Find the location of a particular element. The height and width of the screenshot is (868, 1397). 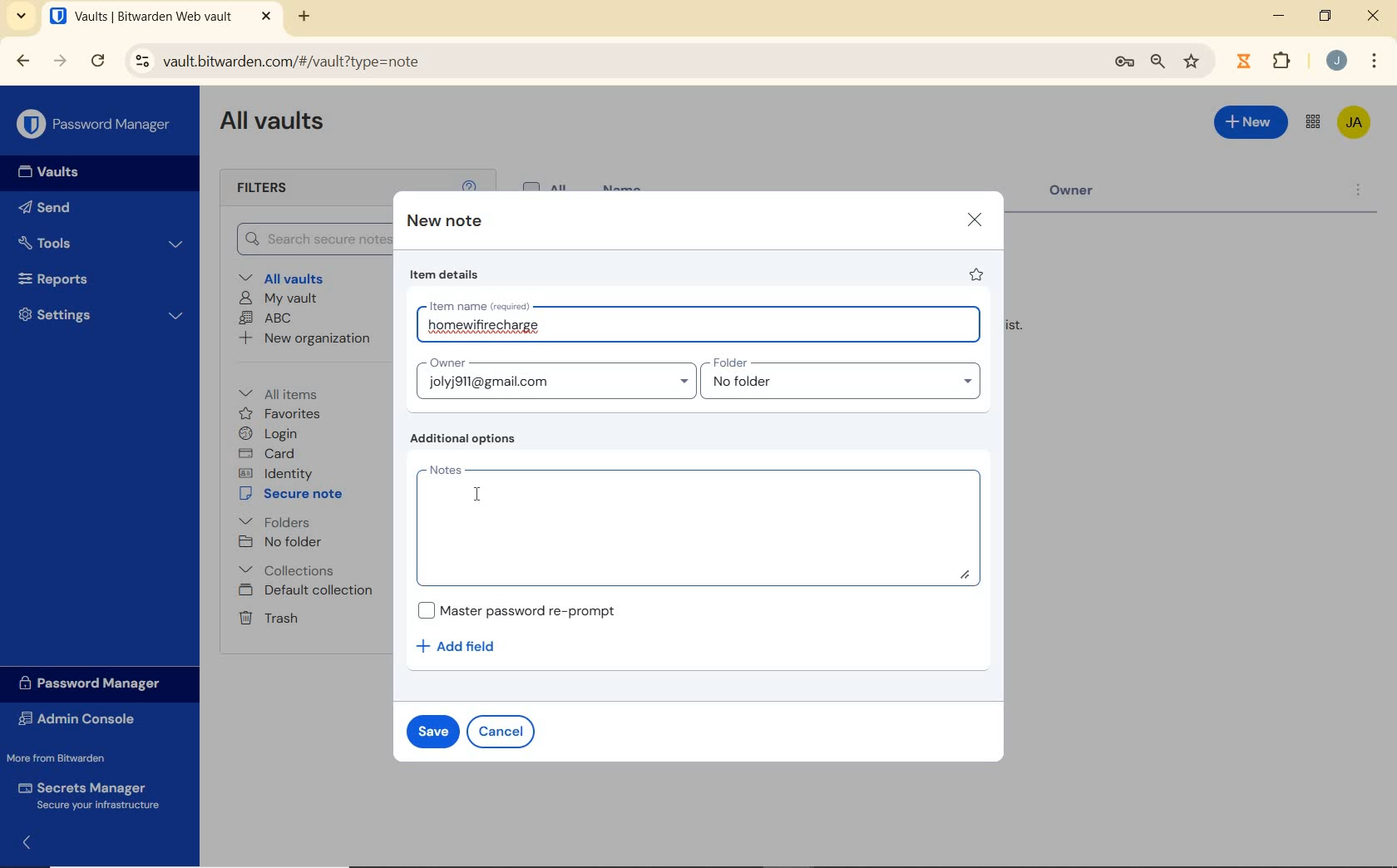

new note is located at coordinates (442, 221).